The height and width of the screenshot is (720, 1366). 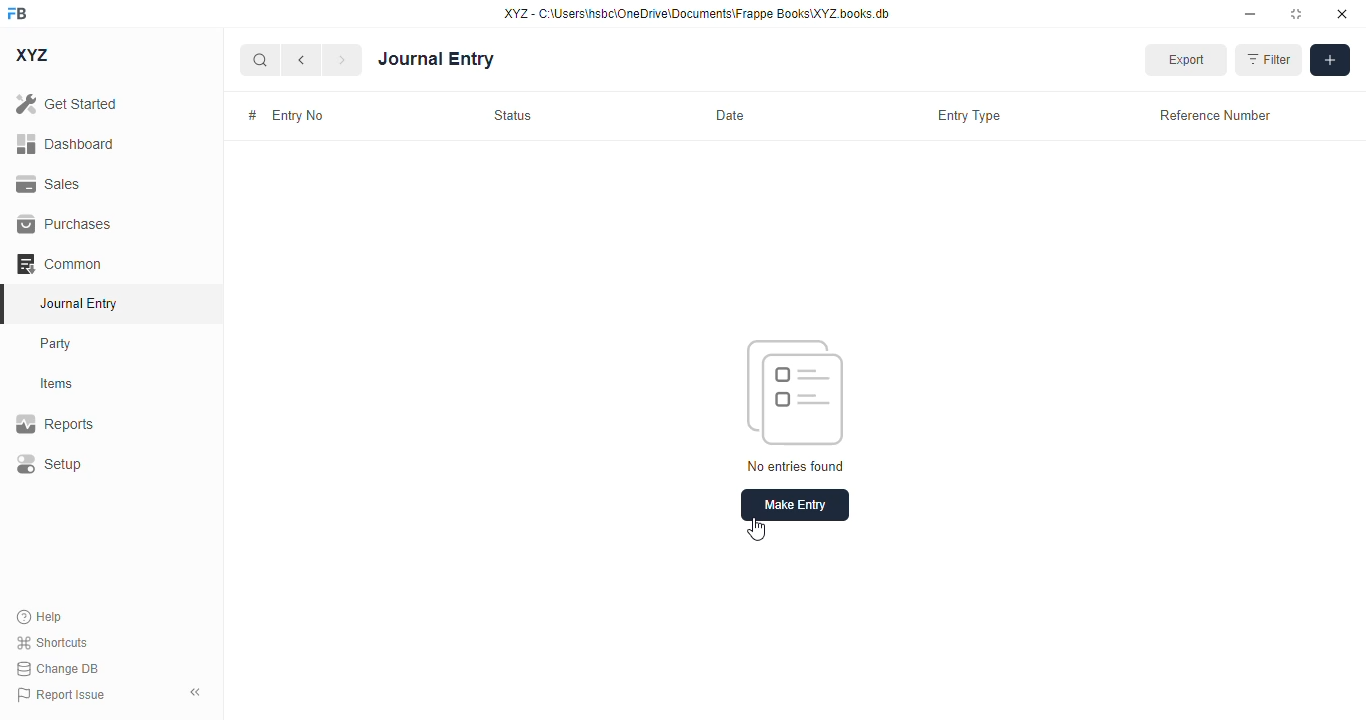 I want to click on export, so click(x=1185, y=60).